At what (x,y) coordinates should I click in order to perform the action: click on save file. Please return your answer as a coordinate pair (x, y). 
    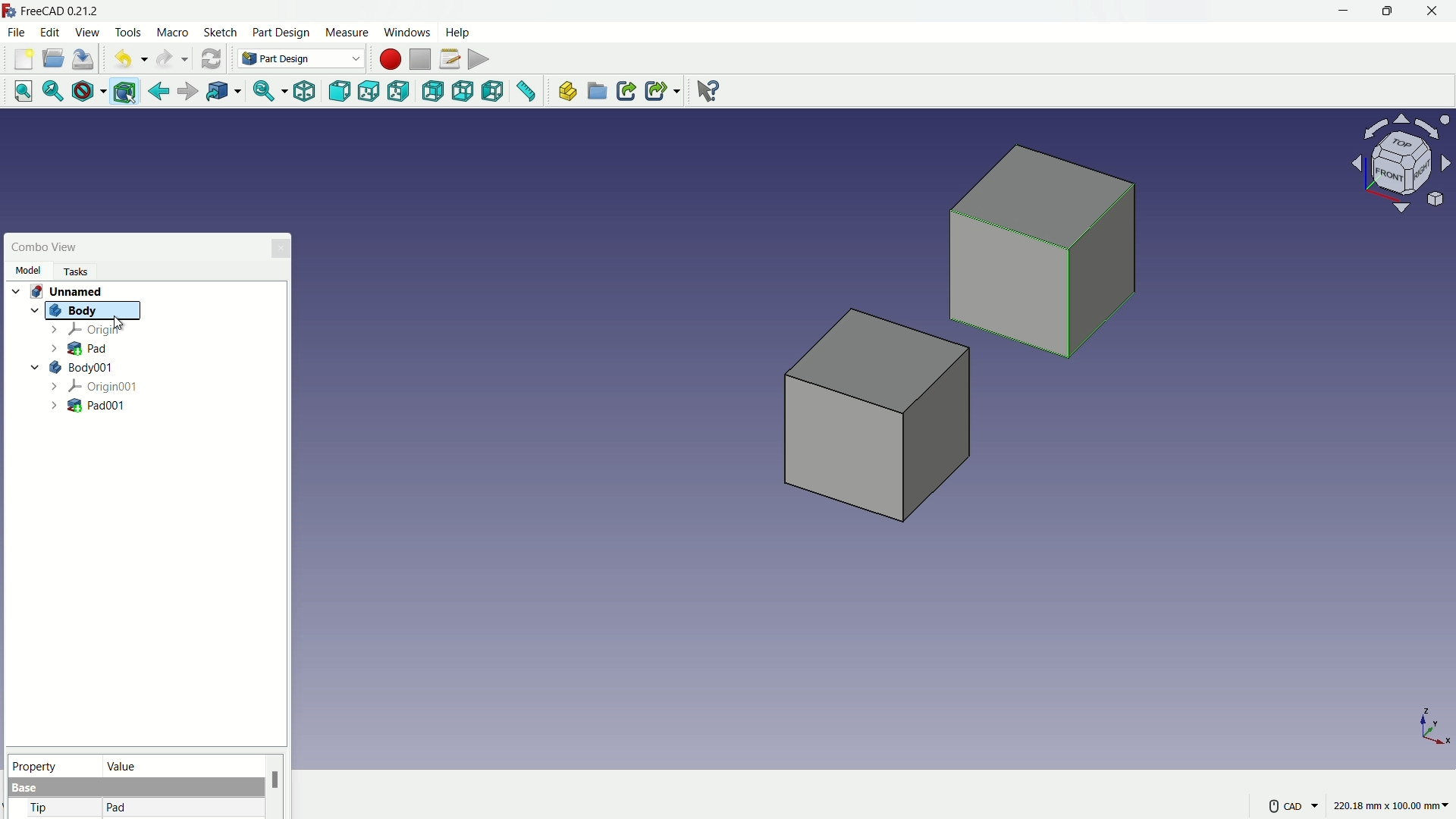
    Looking at the image, I should click on (85, 60).